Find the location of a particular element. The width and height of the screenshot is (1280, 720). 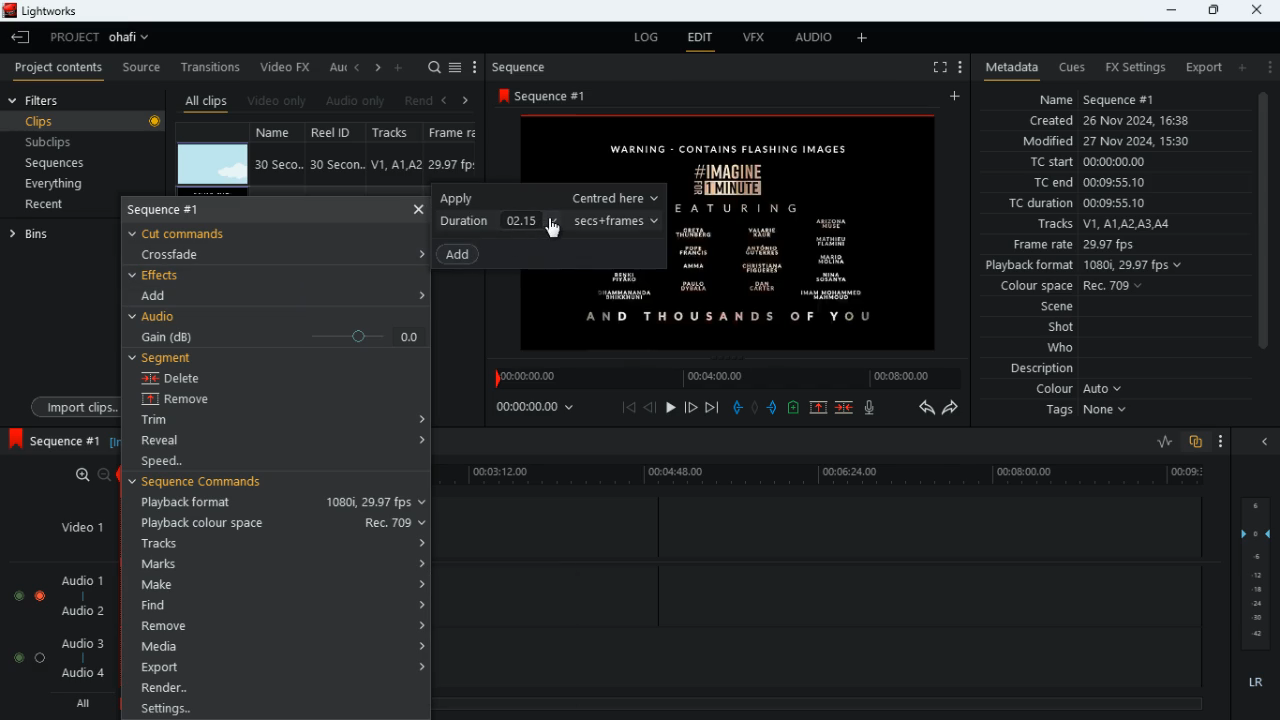

audio 2 is located at coordinates (78, 613).